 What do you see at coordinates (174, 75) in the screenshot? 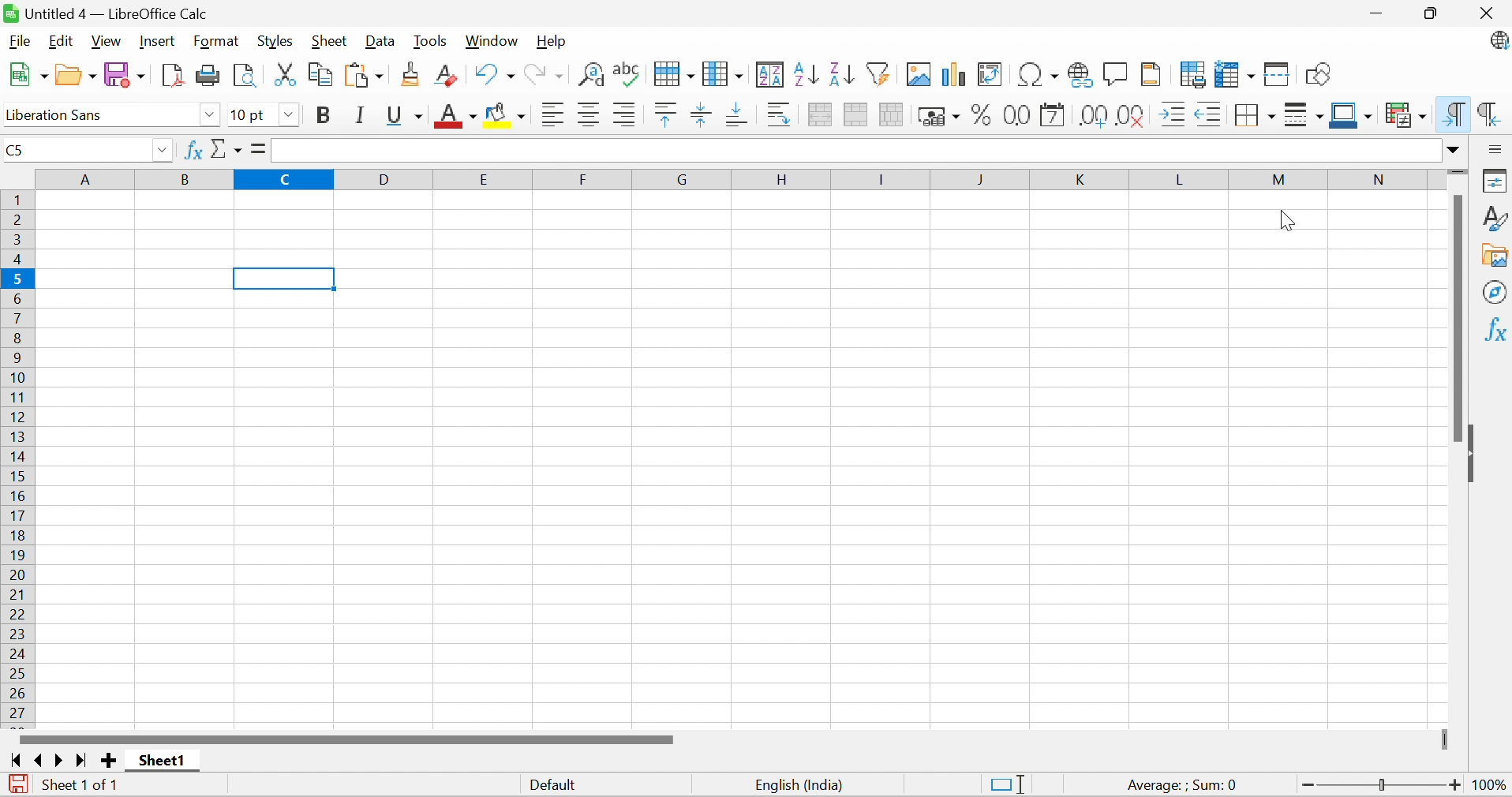
I see `Export as PDF` at bounding box center [174, 75].